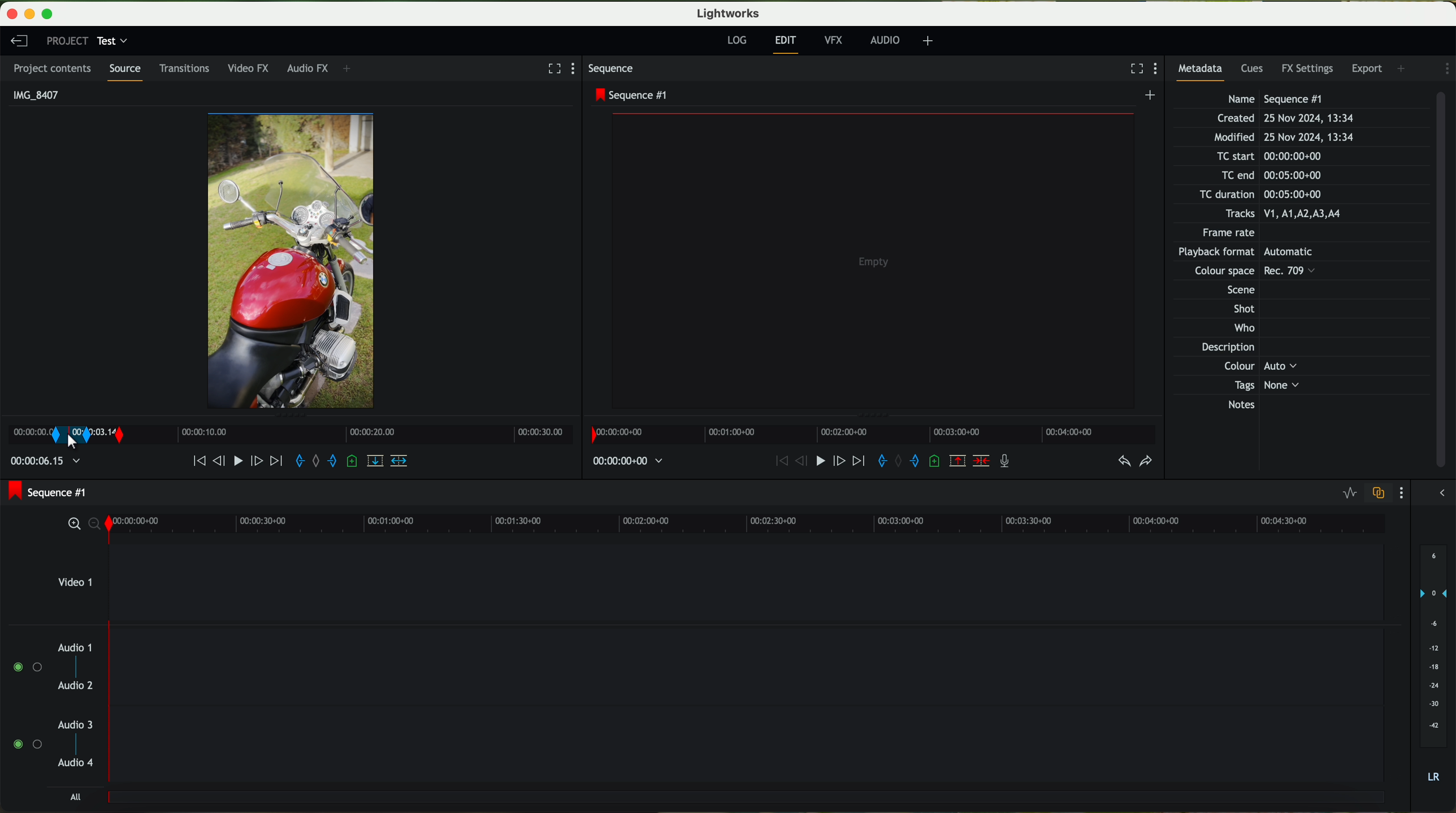  I want to click on add an out mark, so click(909, 461).